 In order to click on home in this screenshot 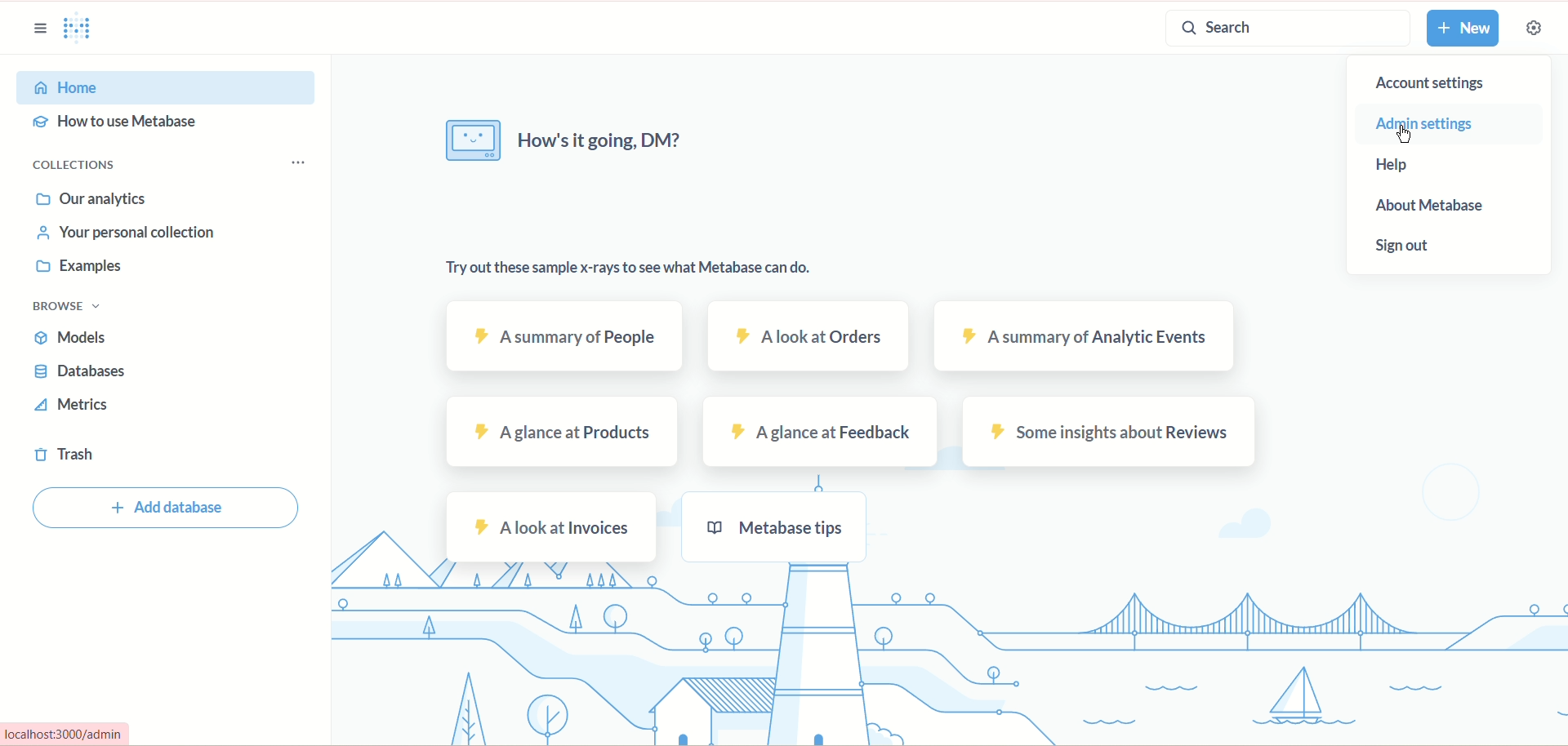, I will do `click(163, 88)`.